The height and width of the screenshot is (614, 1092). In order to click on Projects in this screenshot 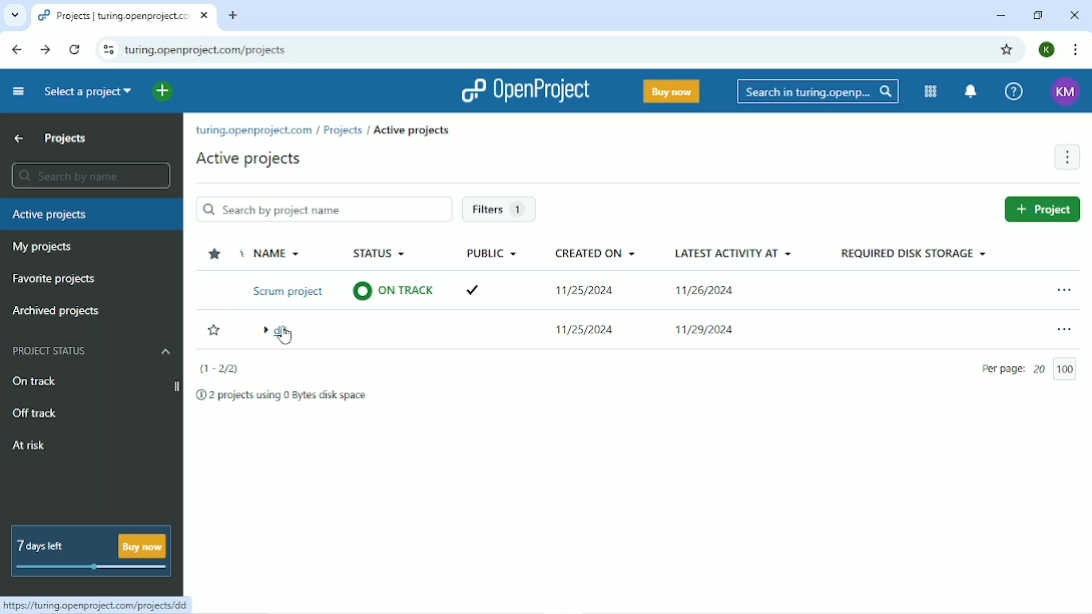, I will do `click(68, 139)`.